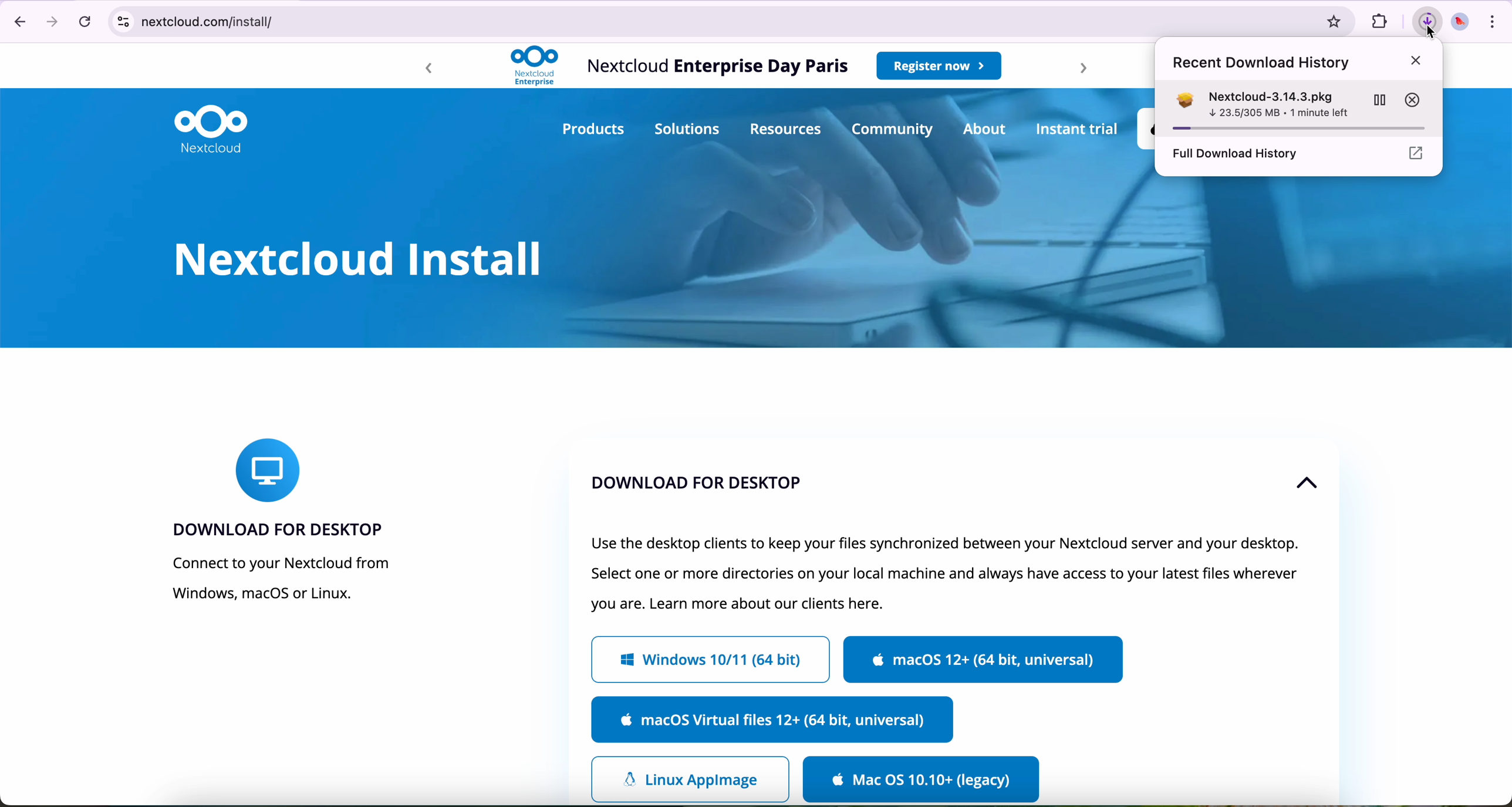 The width and height of the screenshot is (1512, 807). I want to click on Nextcloud Enterprise Day Paris, so click(716, 66).